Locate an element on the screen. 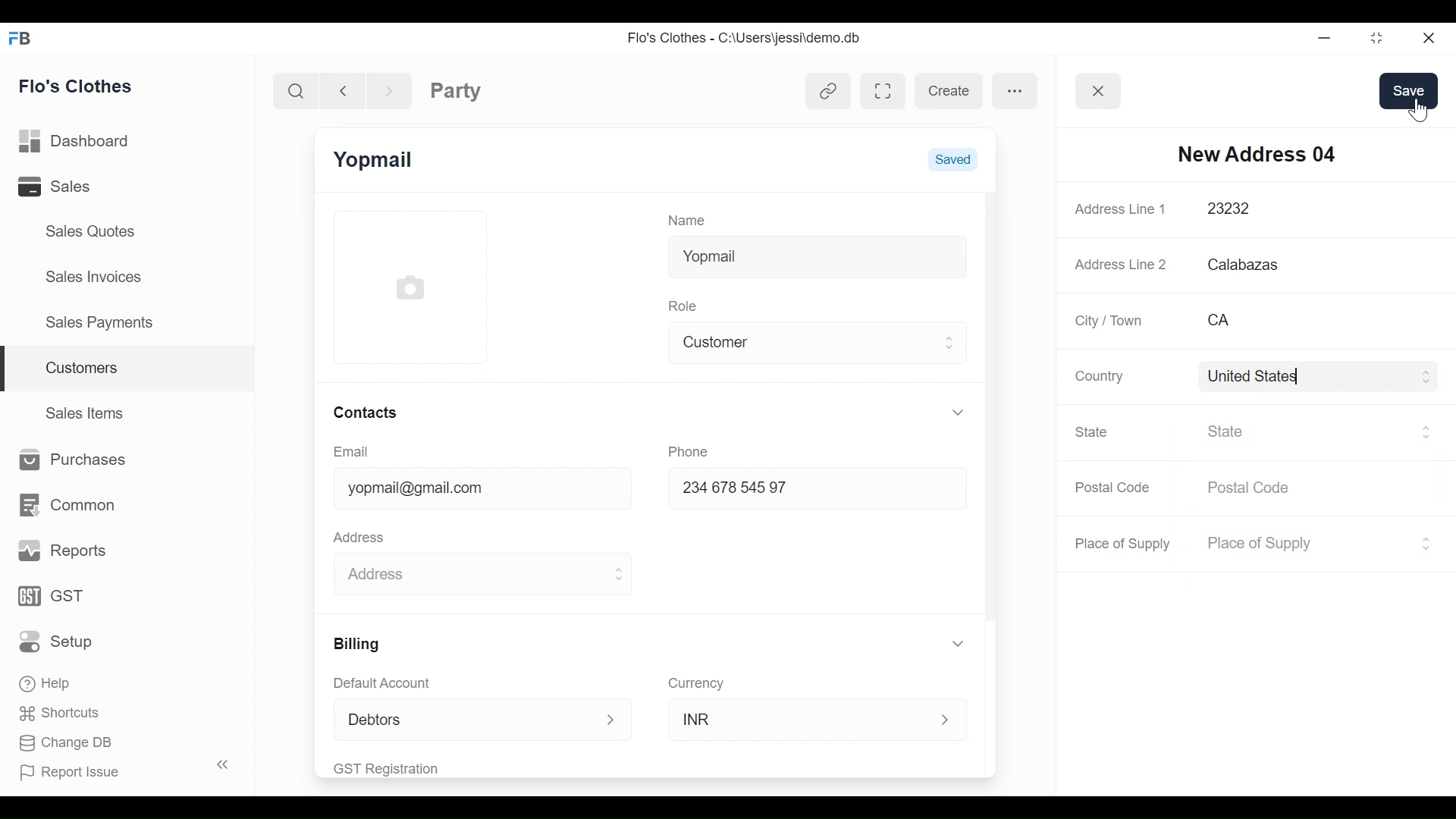  Dashboard is located at coordinates (79, 142).